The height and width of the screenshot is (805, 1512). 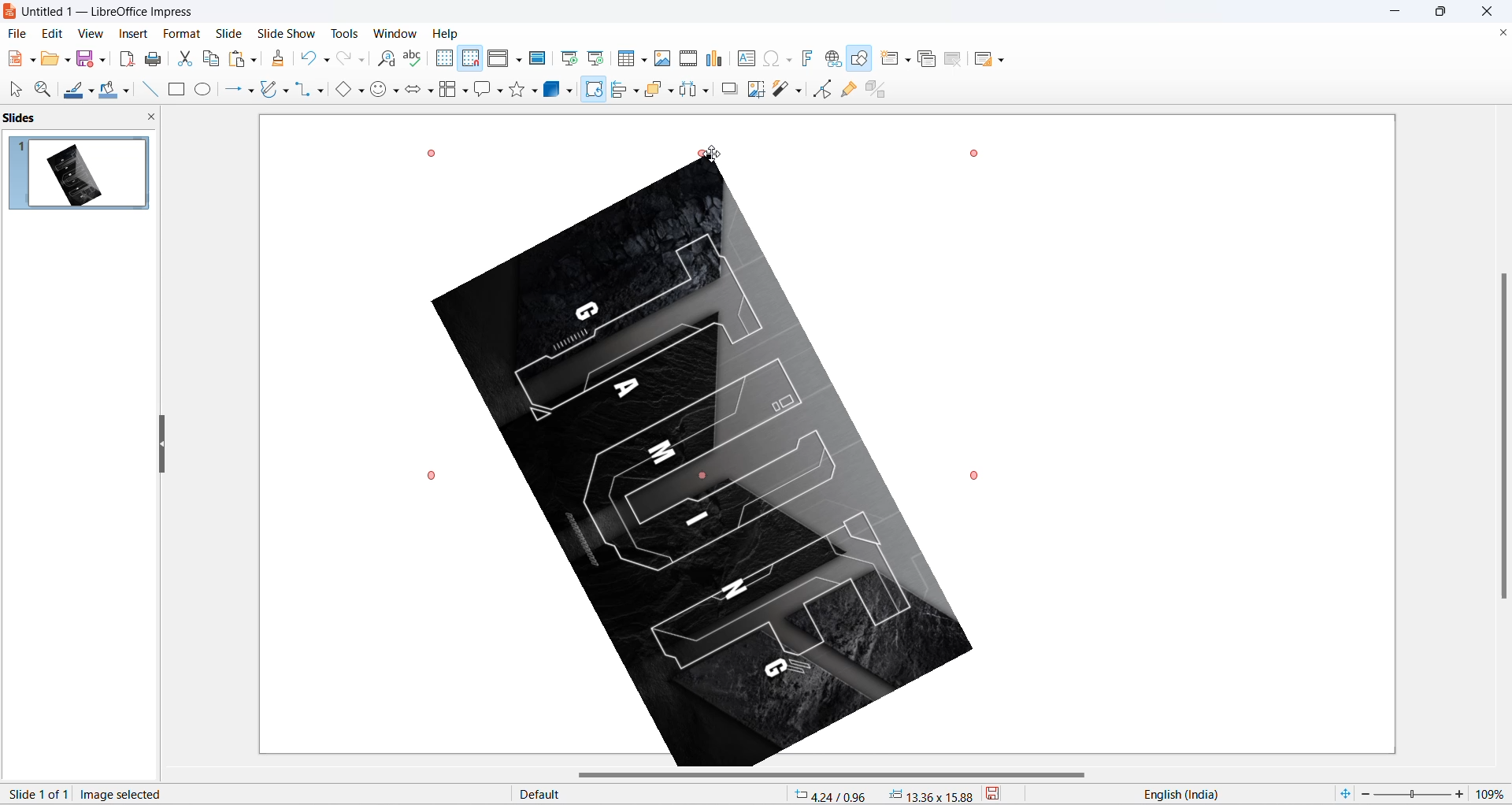 I want to click on star shape, so click(x=517, y=90).